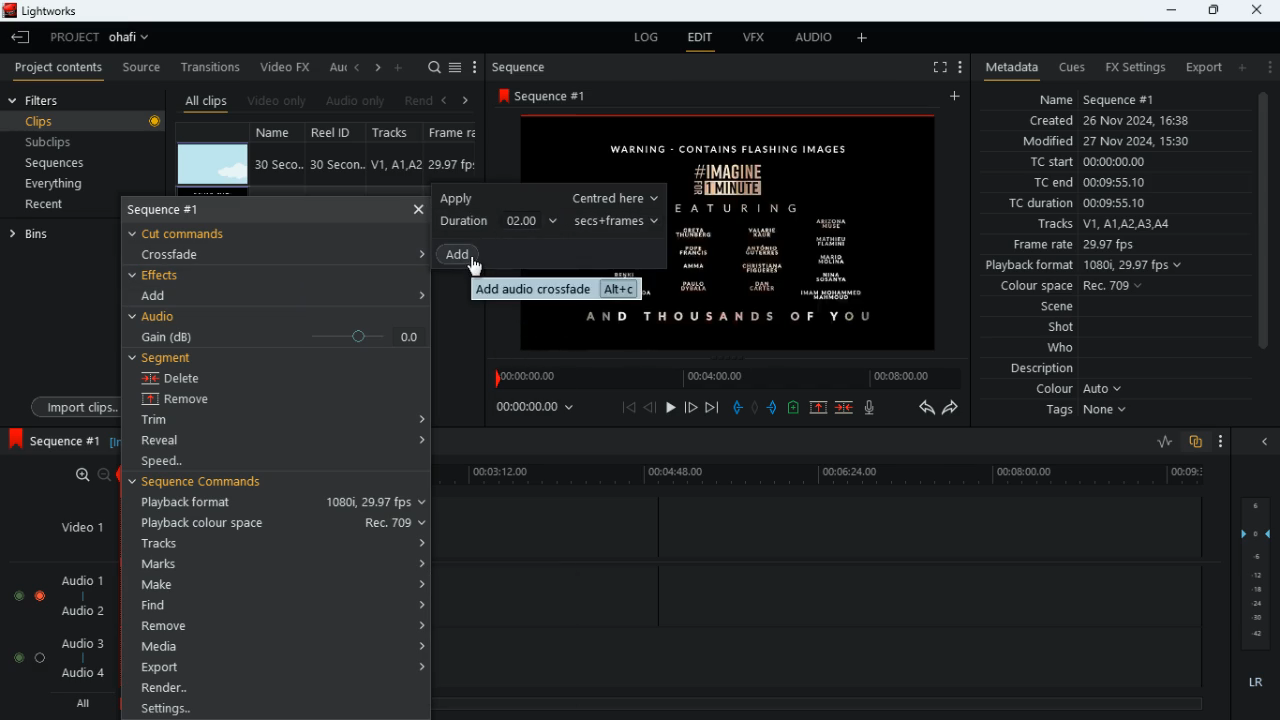 This screenshot has width=1280, height=720. What do you see at coordinates (86, 122) in the screenshot?
I see `clips` at bounding box center [86, 122].